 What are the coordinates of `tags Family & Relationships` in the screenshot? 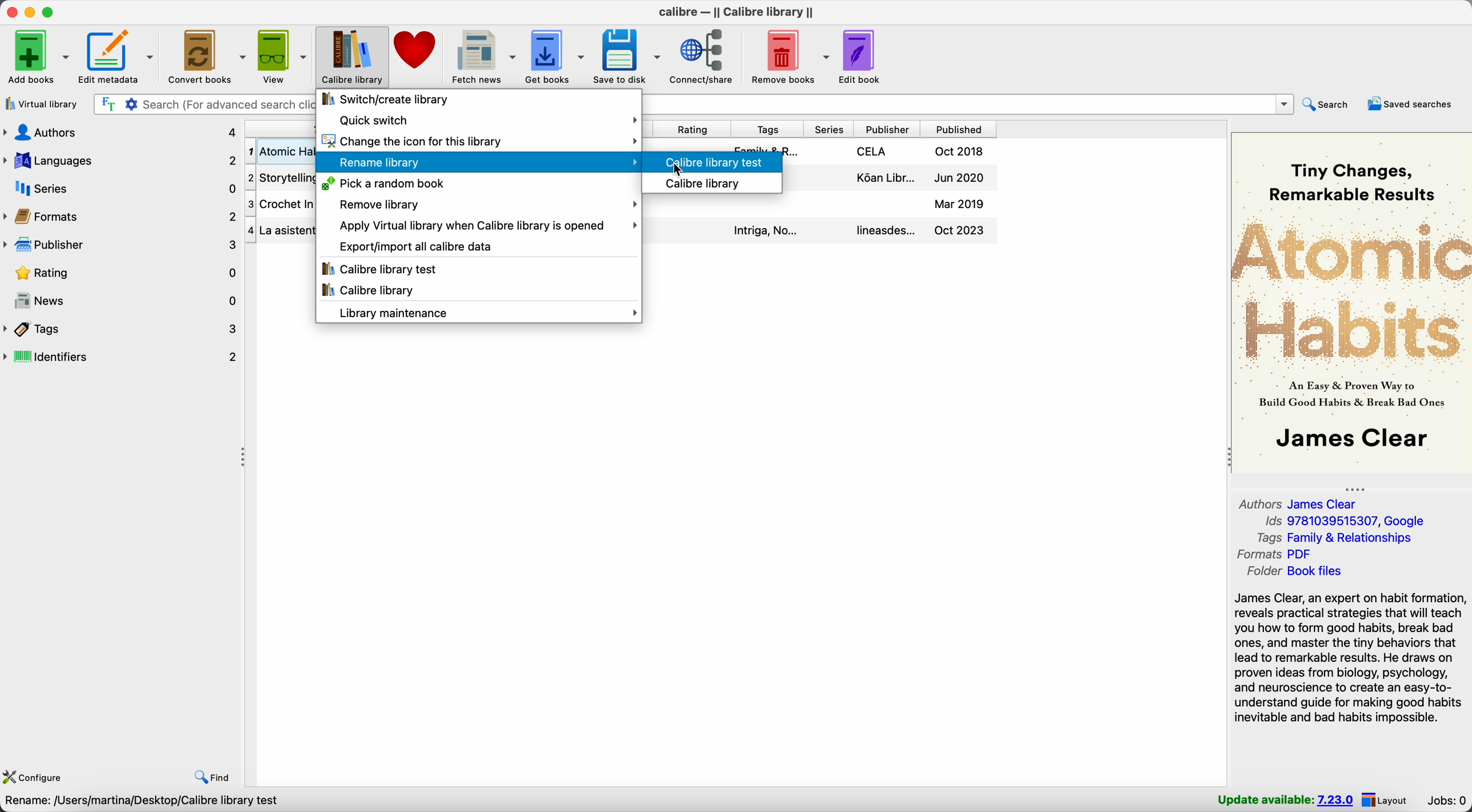 It's located at (1338, 539).